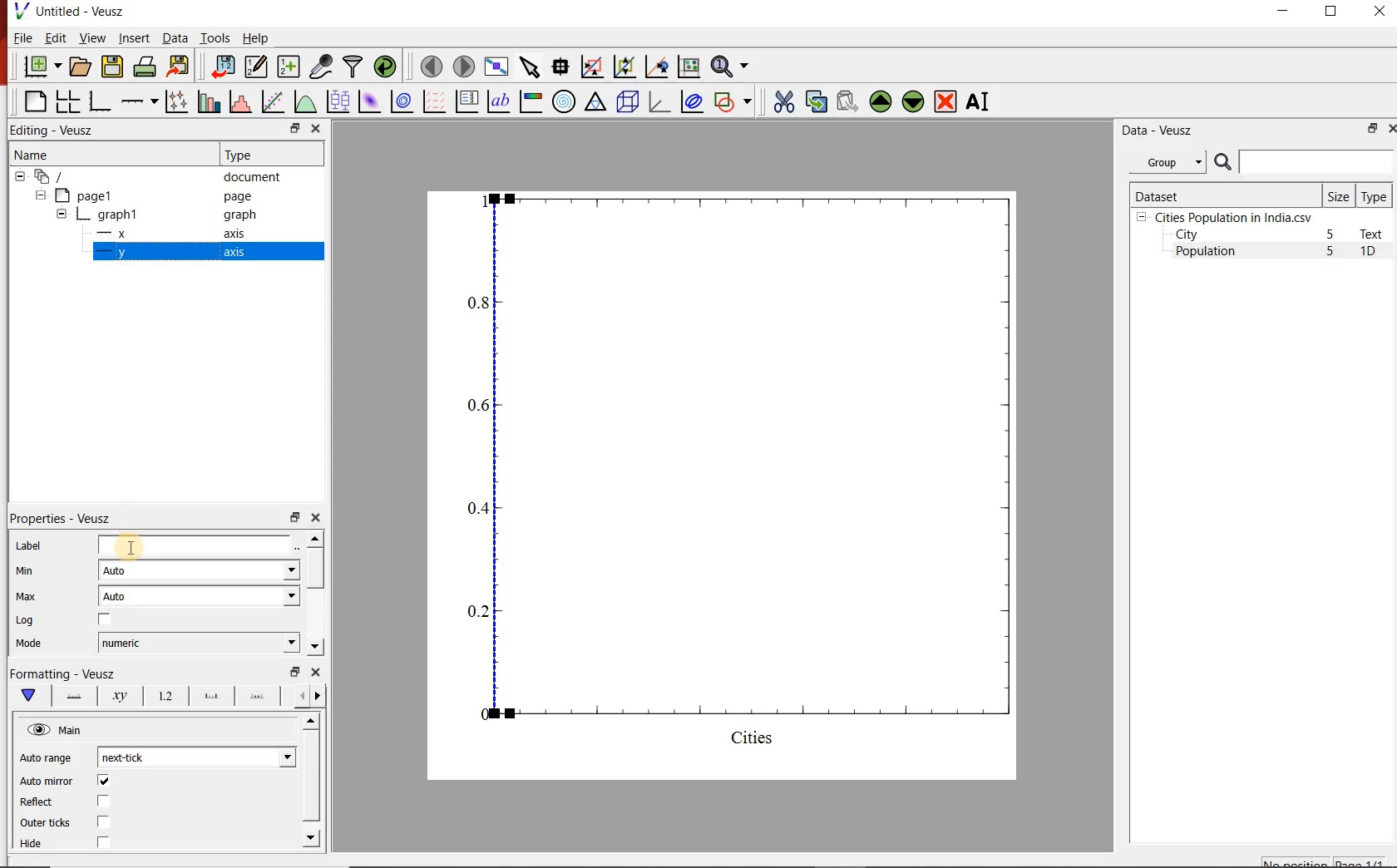 Image resolution: width=1397 pixels, height=868 pixels. What do you see at coordinates (269, 155) in the screenshot?
I see `Type` at bounding box center [269, 155].